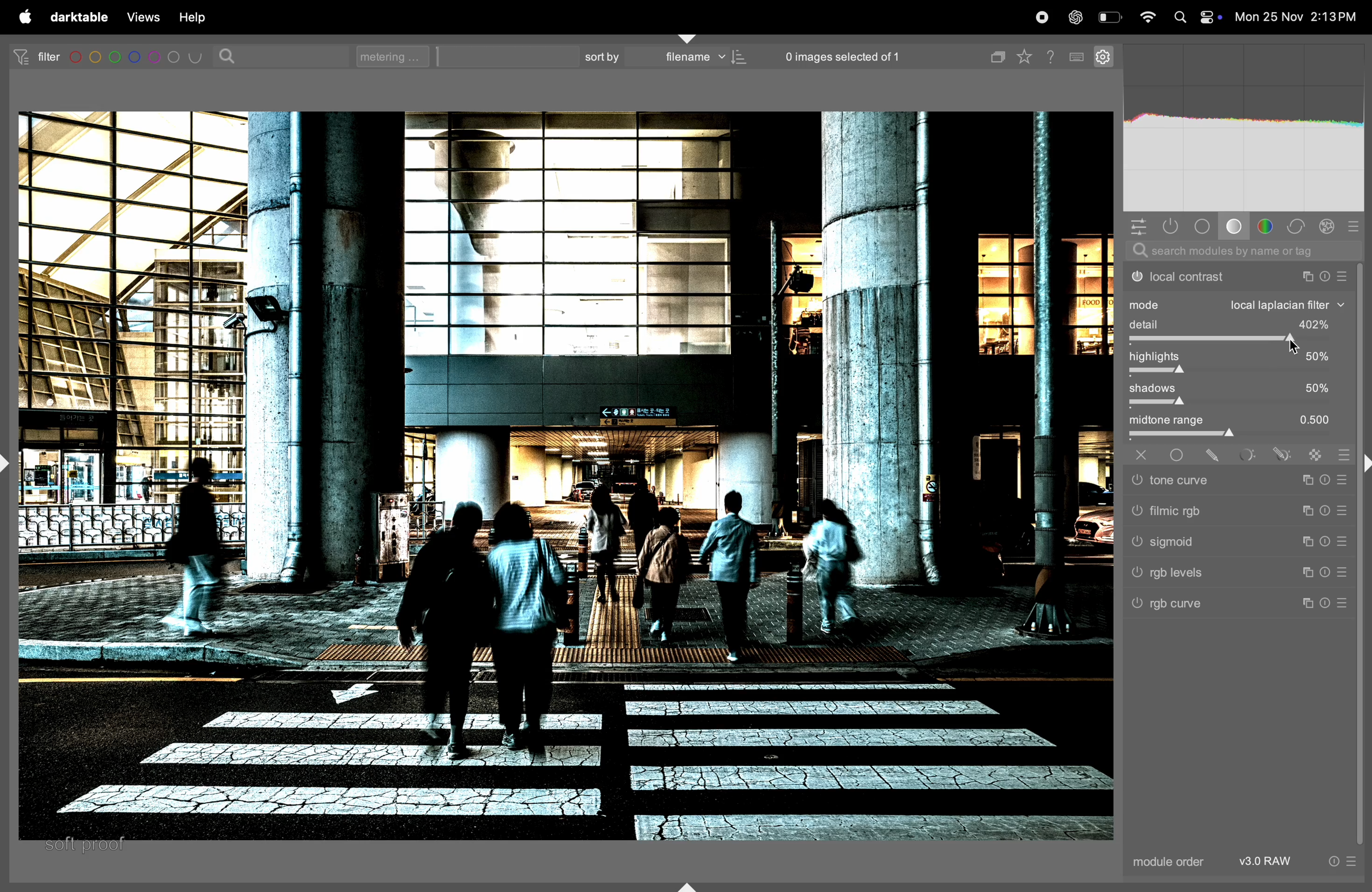  I want to click on preset, so click(1343, 604).